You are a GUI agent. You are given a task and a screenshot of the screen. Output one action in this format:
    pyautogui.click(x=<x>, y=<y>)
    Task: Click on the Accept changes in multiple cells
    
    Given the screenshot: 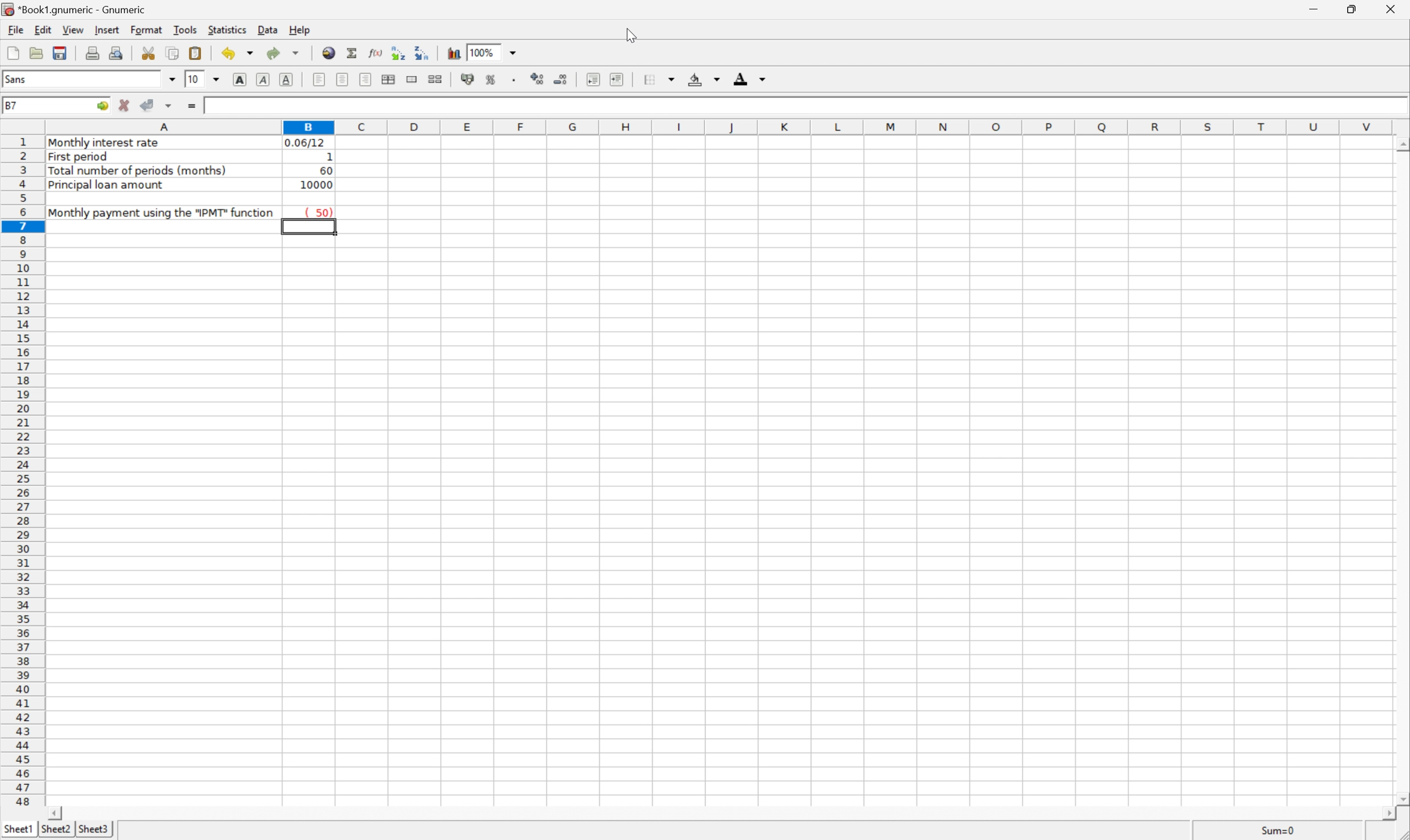 What is the action you would take?
    pyautogui.click(x=169, y=106)
    